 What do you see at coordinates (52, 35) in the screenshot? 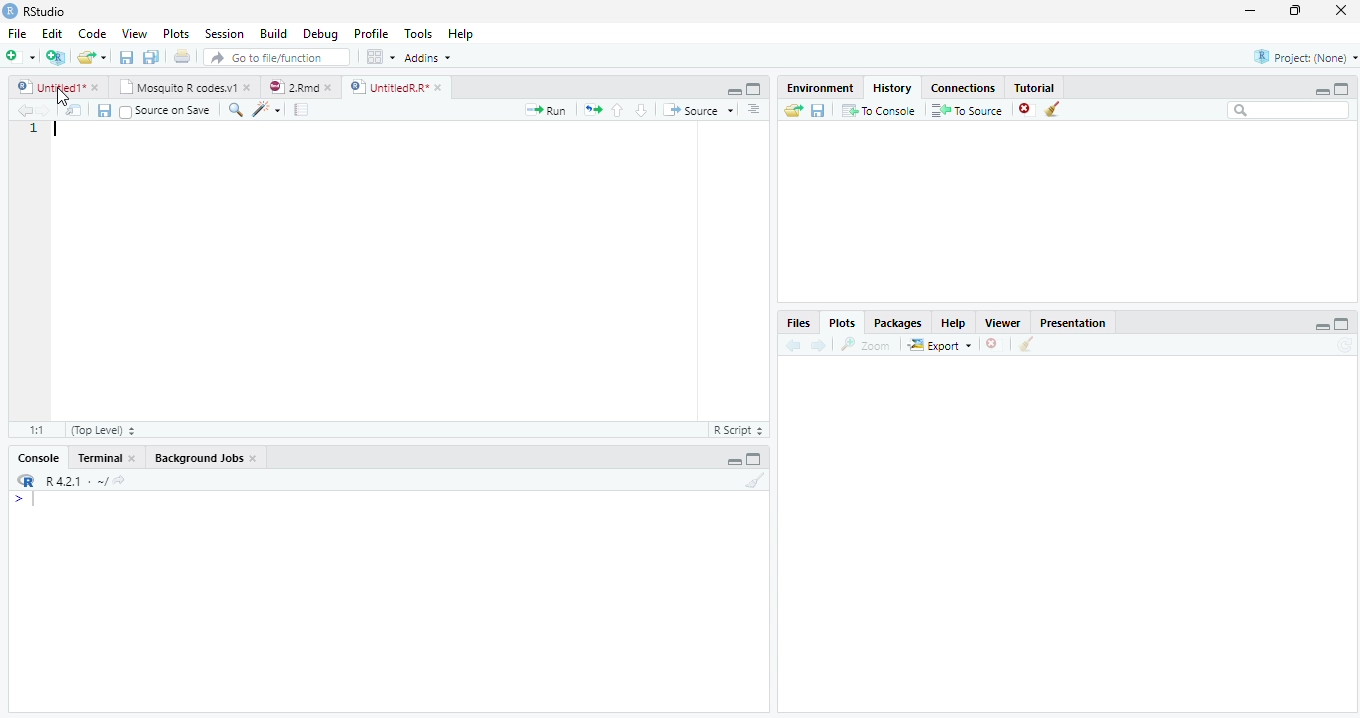
I see `Edit` at bounding box center [52, 35].